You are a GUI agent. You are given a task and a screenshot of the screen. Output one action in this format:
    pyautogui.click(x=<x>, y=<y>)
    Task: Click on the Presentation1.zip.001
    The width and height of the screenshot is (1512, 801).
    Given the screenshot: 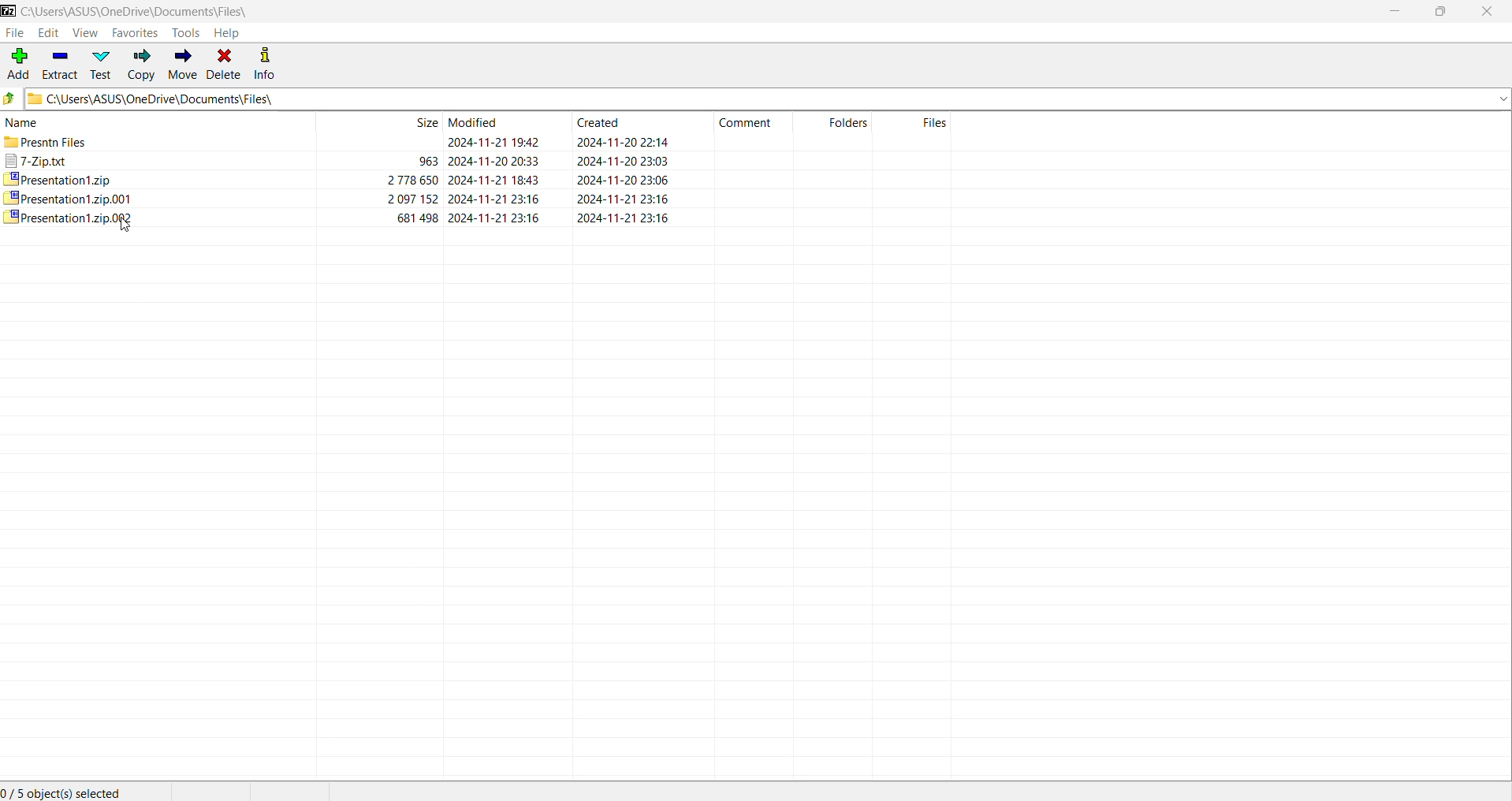 What is the action you would take?
    pyautogui.click(x=73, y=199)
    